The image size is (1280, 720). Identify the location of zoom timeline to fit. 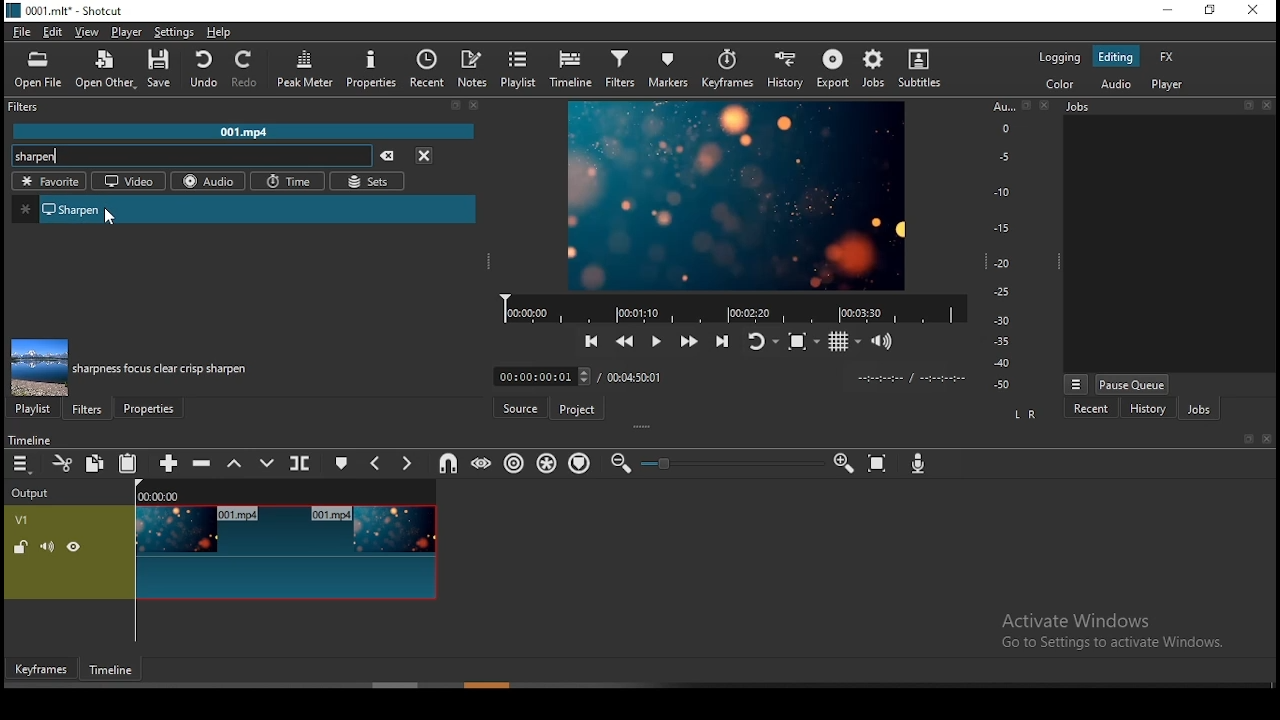
(878, 464).